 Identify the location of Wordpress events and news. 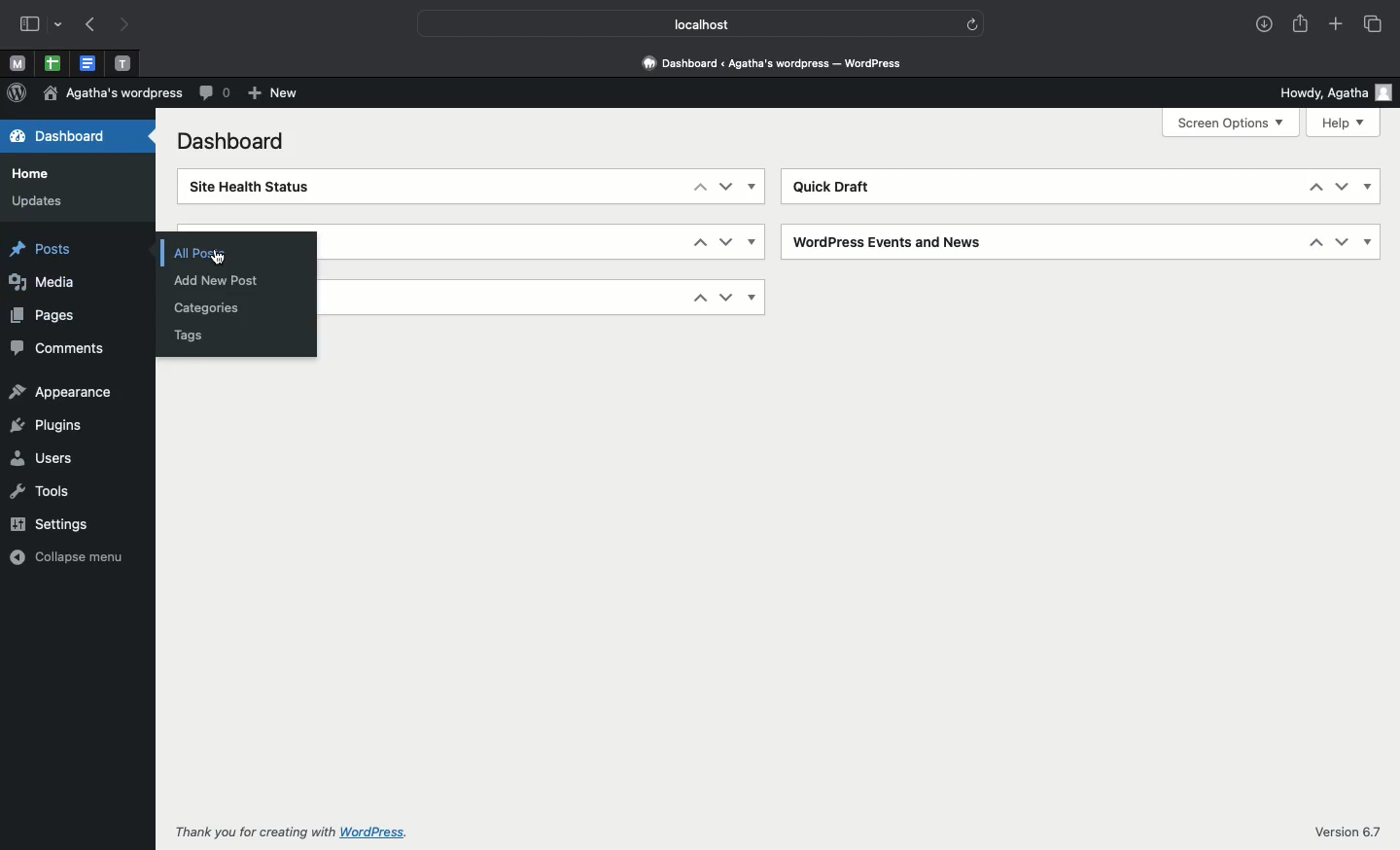
(892, 242).